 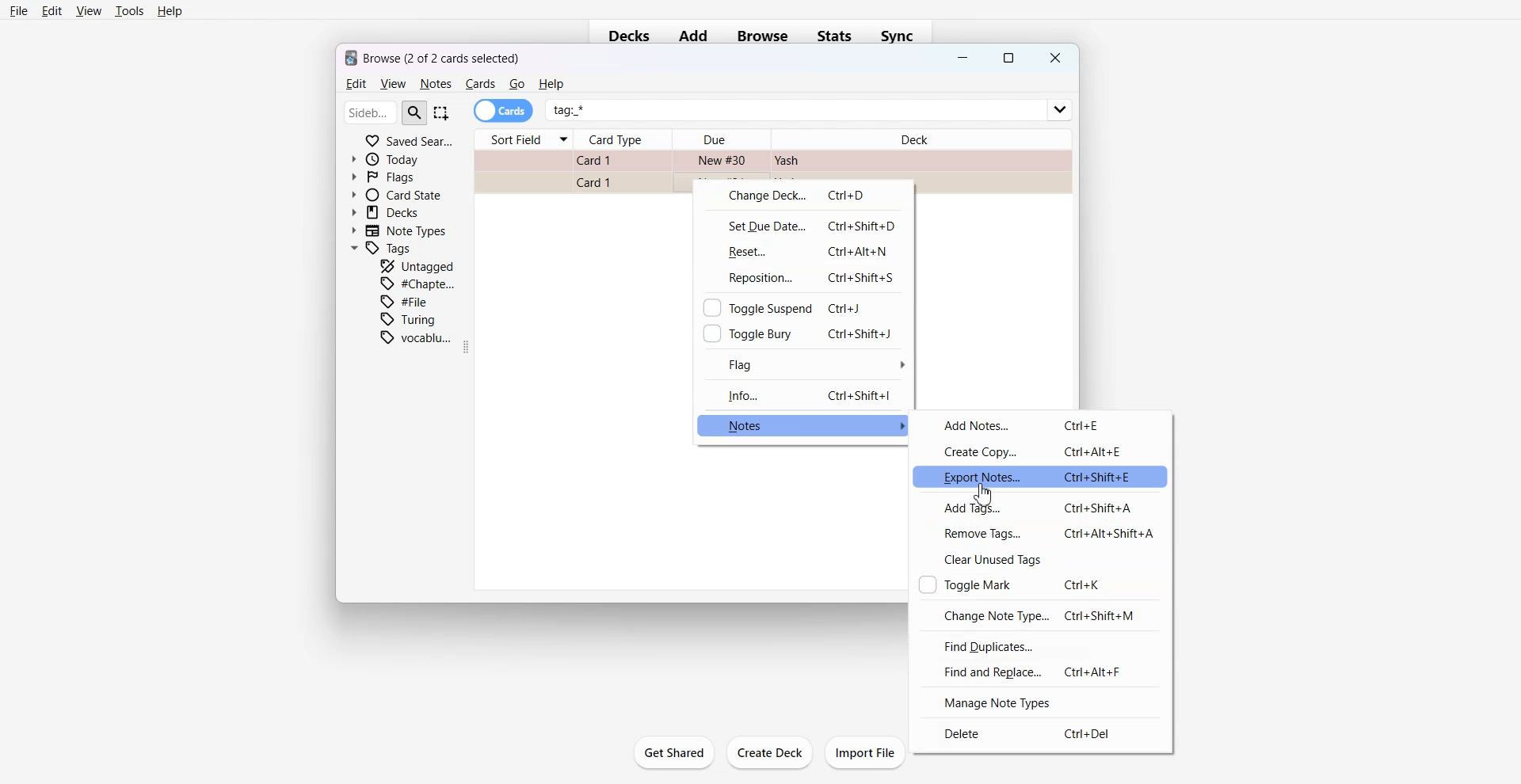 What do you see at coordinates (386, 112) in the screenshot?
I see `Search Bar` at bounding box center [386, 112].